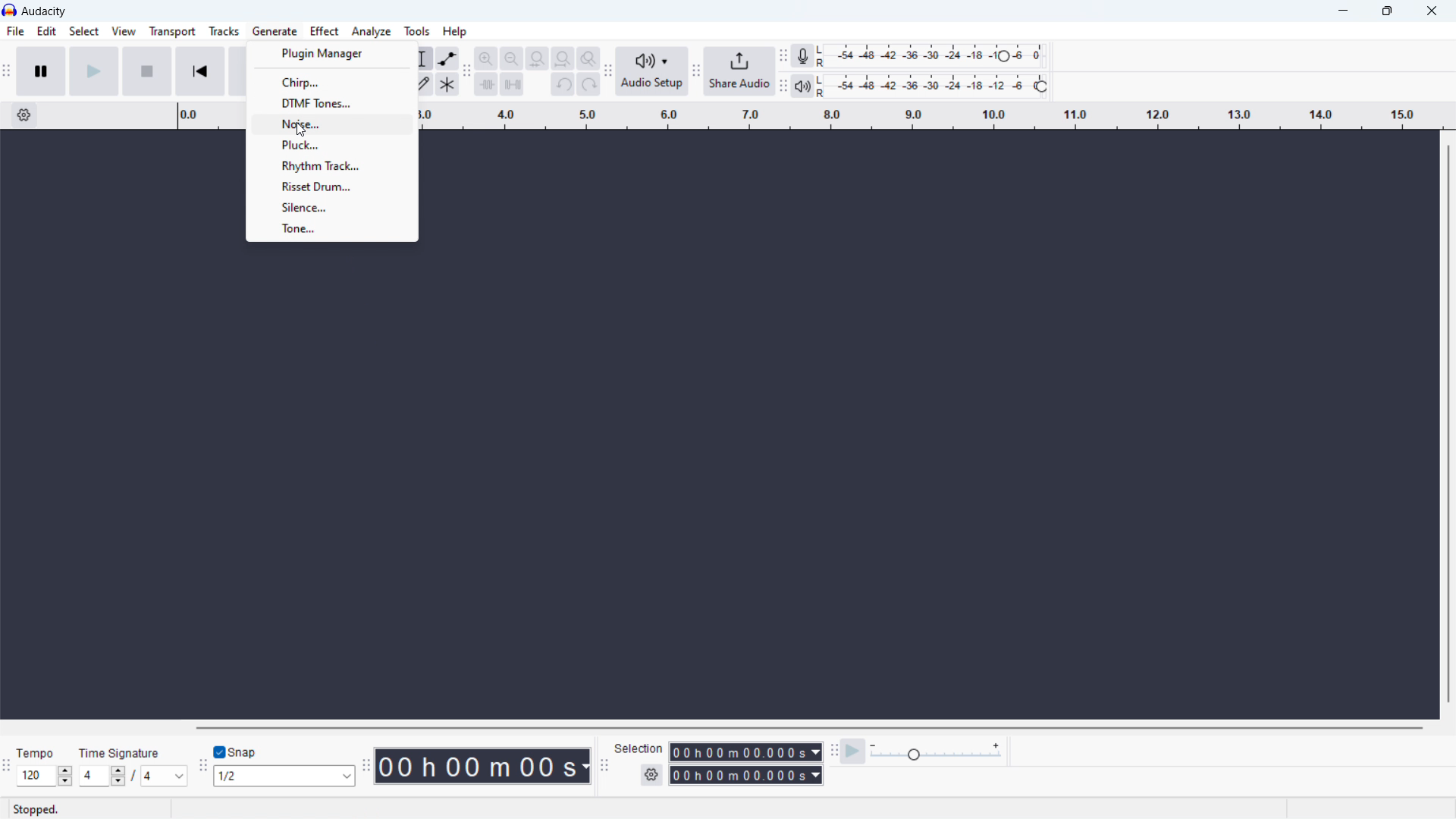 The width and height of the screenshot is (1456, 819). What do you see at coordinates (45, 11) in the screenshot?
I see `title` at bounding box center [45, 11].